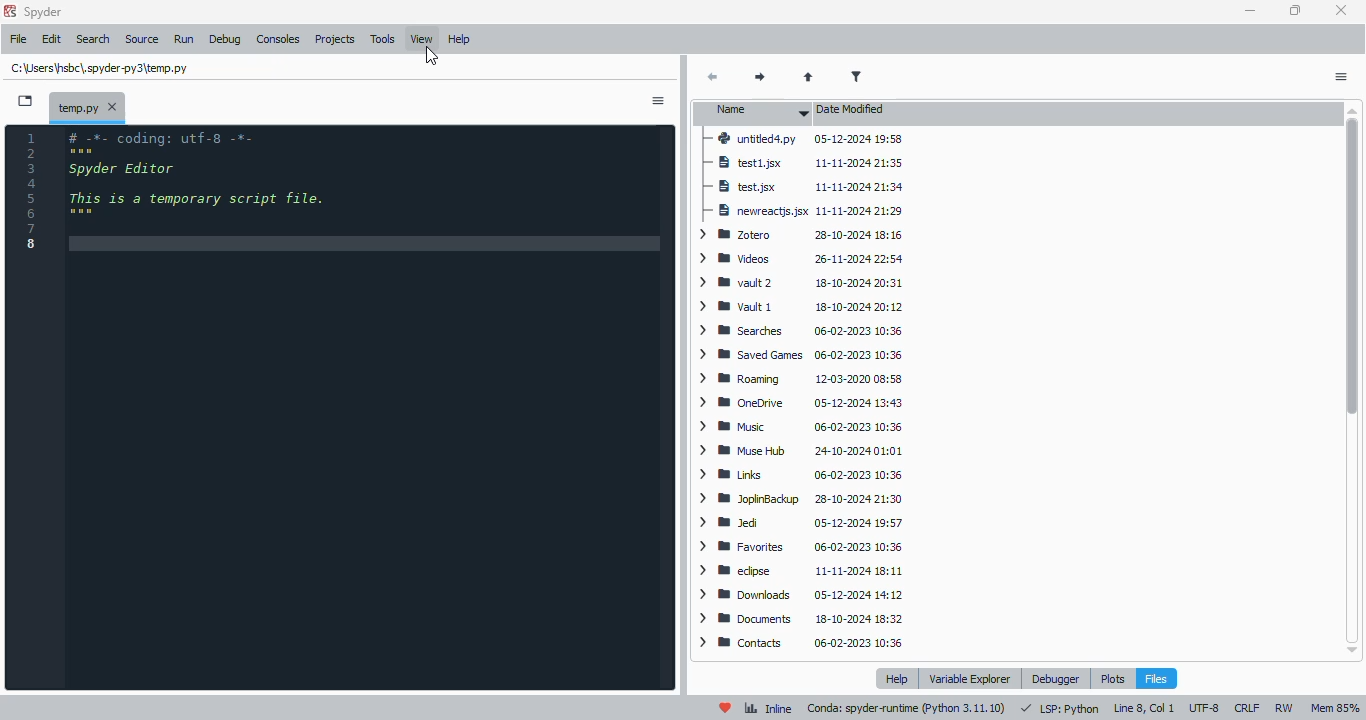 Image resolution: width=1366 pixels, height=720 pixels. I want to click on OneDrive, so click(800, 403).